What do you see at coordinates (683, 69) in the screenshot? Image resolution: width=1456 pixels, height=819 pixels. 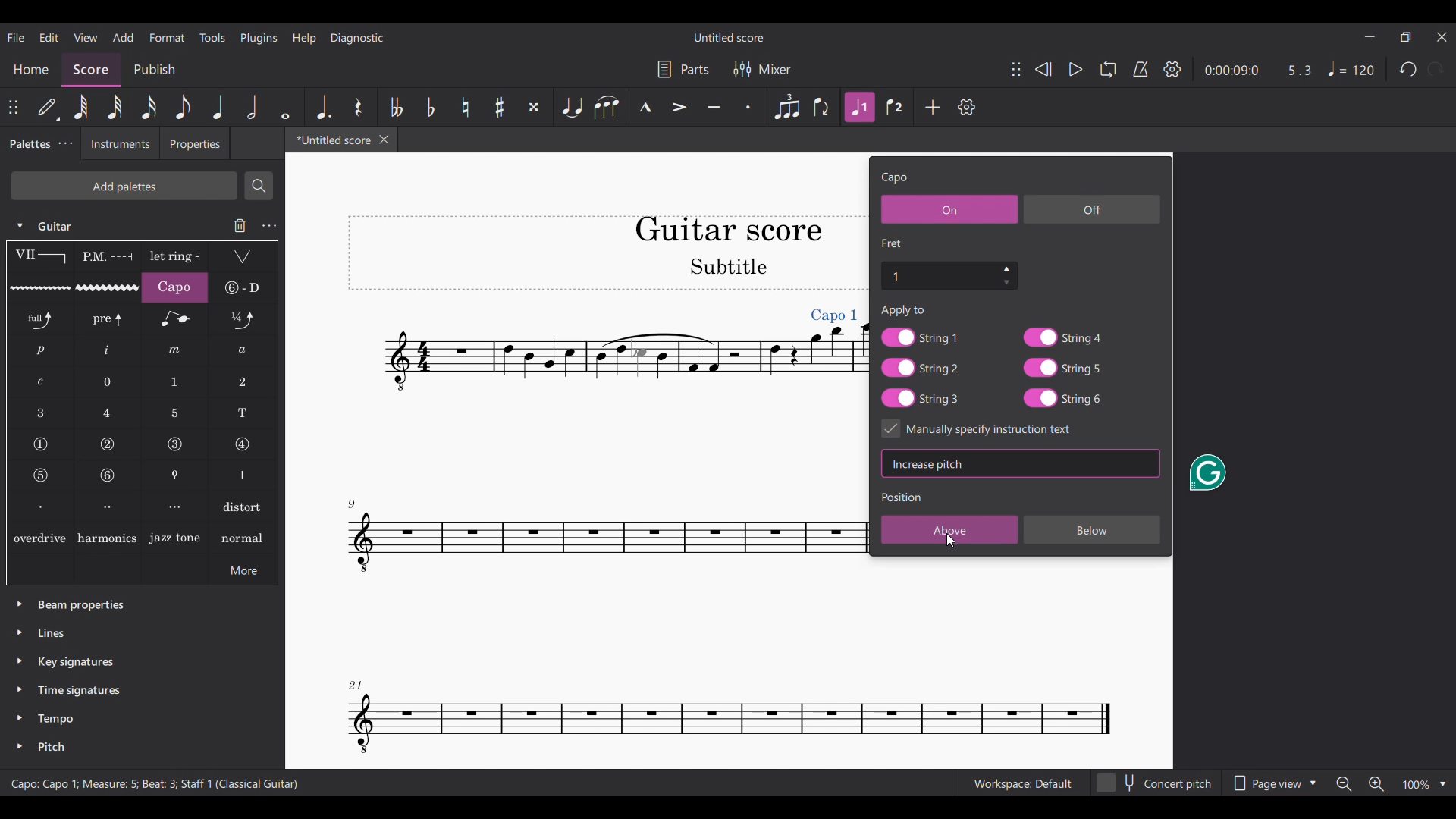 I see `Parts settings` at bounding box center [683, 69].